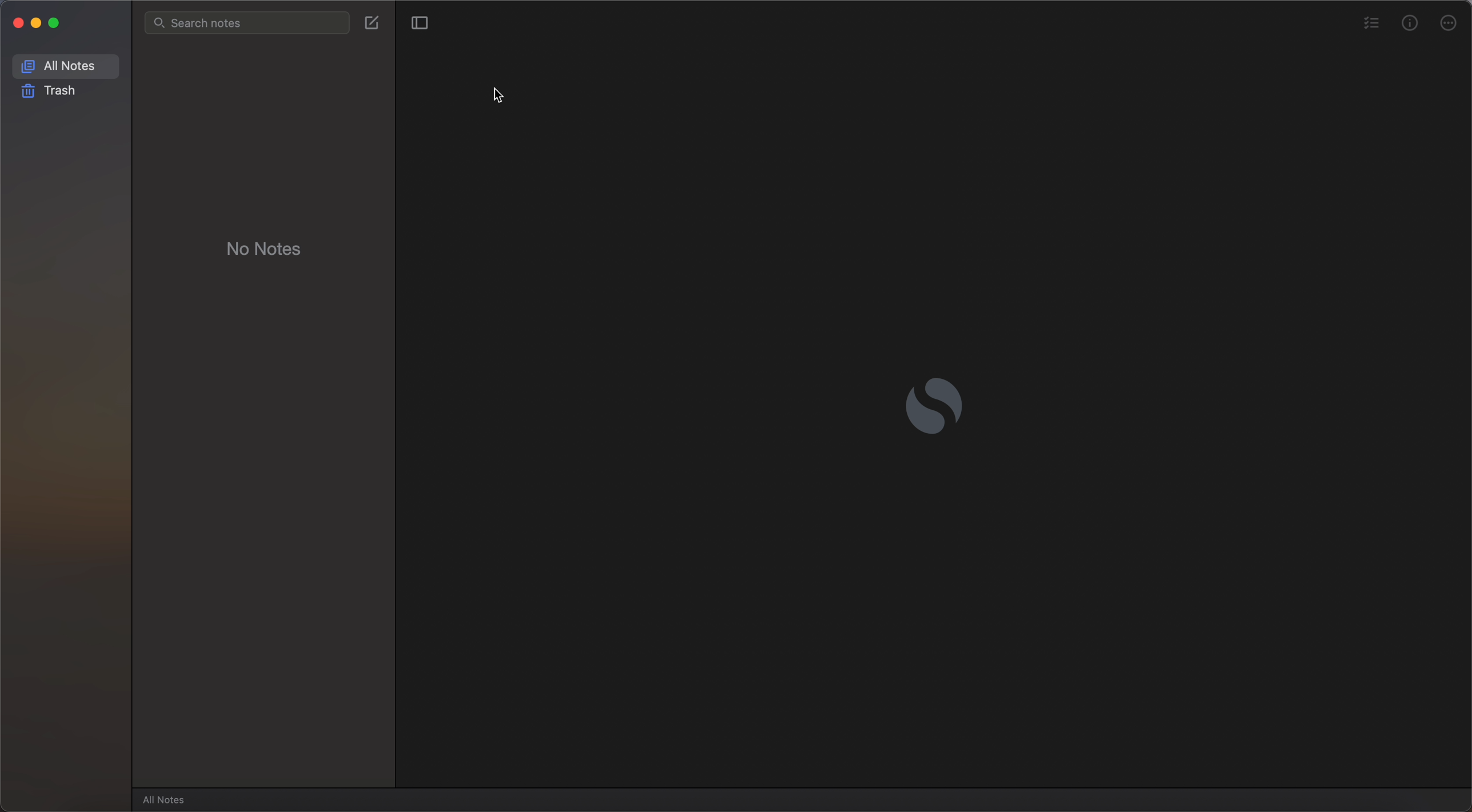 The height and width of the screenshot is (812, 1472). Describe the element at coordinates (247, 23) in the screenshot. I see `search bar` at that location.